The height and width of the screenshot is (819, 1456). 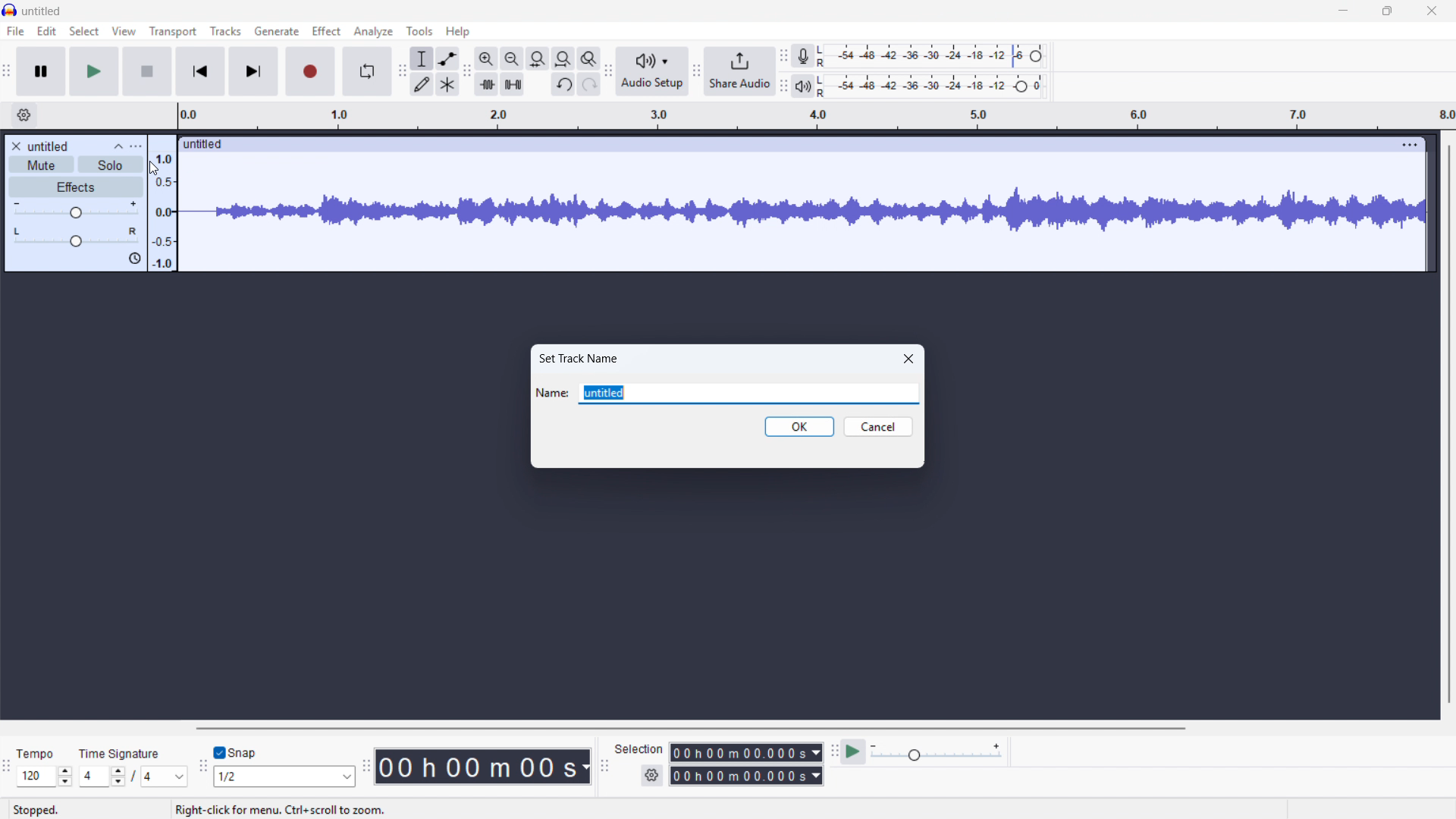 What do you see at coordinates (1432, 12) in the screenshot?
I see `Close` at bounding box center [1432, 12].